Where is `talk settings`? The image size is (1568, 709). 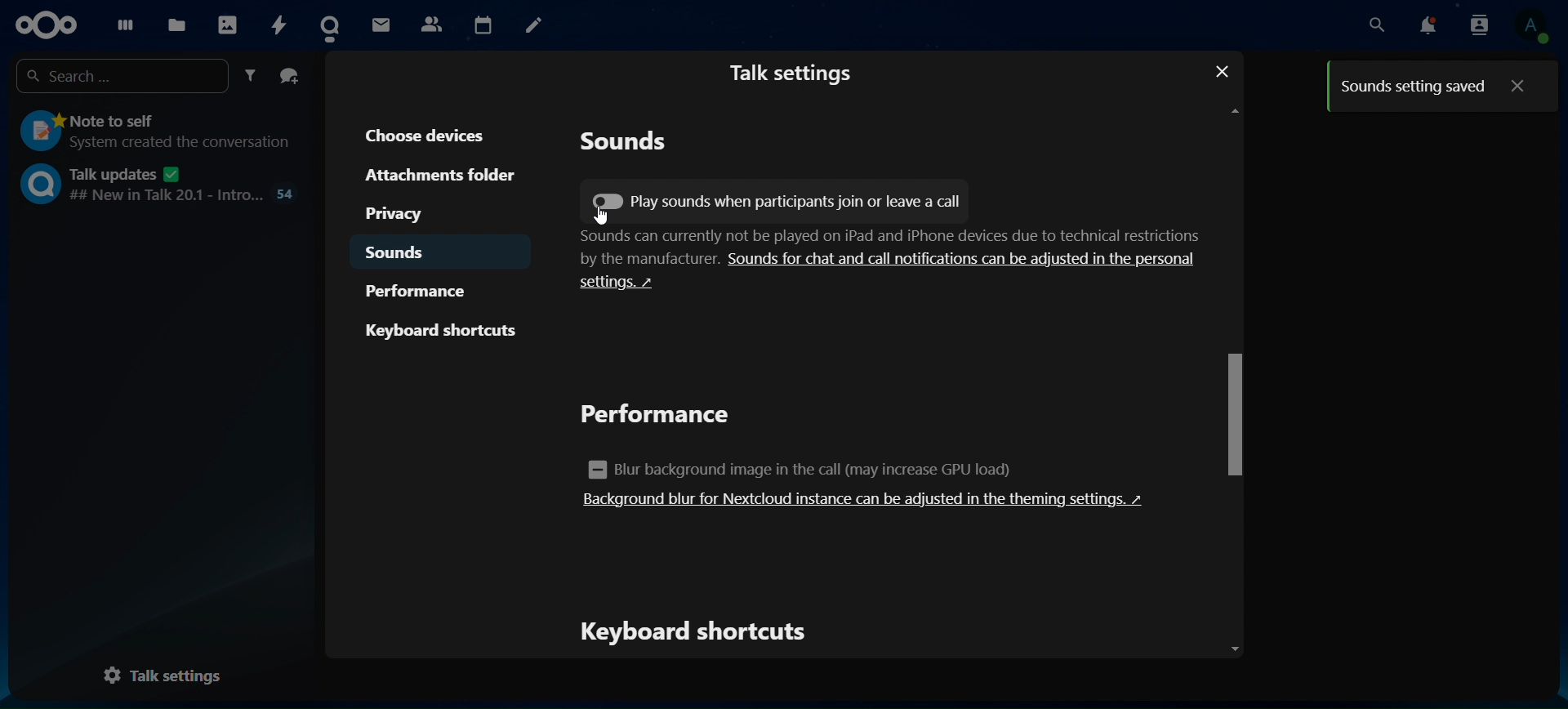 talk settings is located at coordinates (173, 675).